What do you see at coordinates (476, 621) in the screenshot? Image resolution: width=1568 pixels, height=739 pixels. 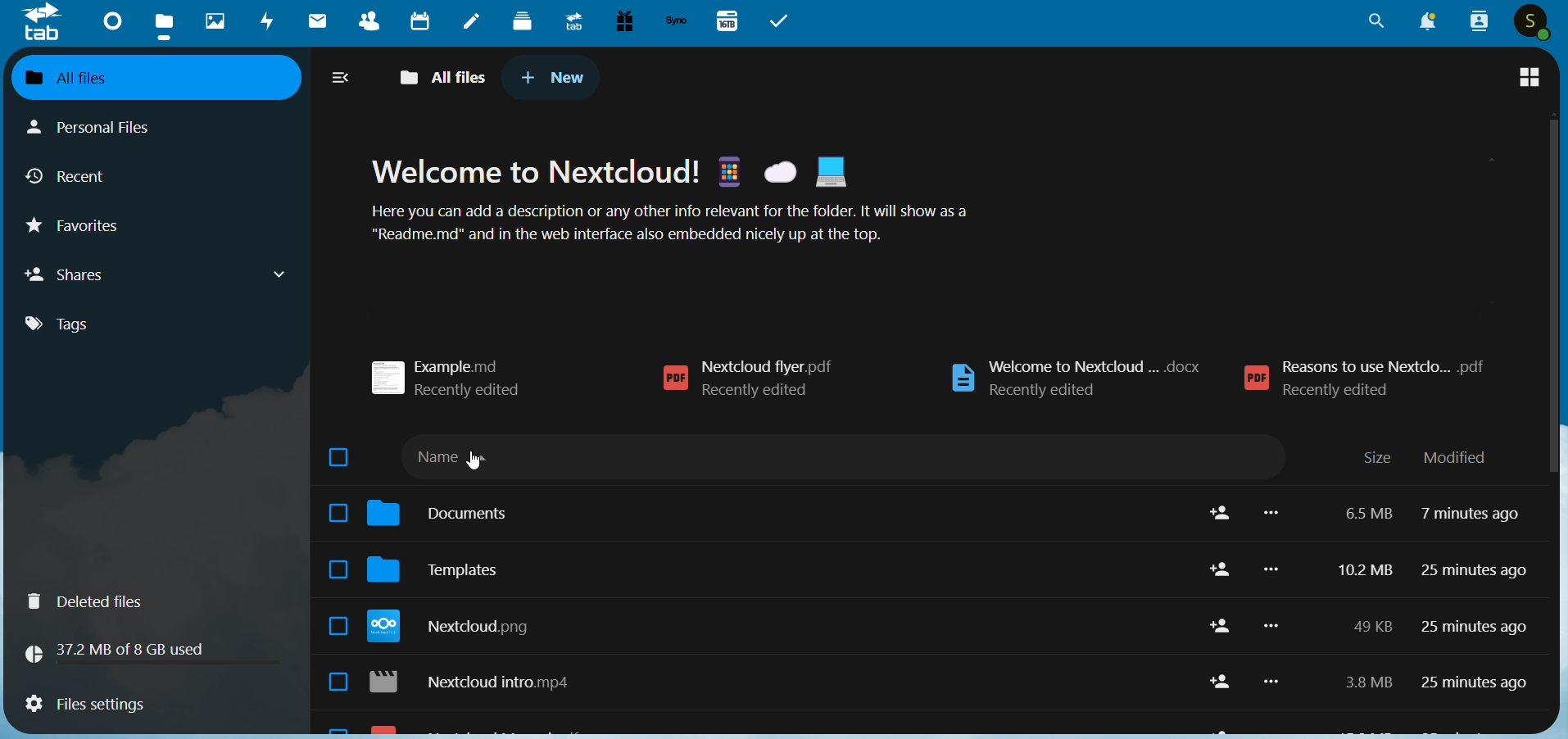 I see `templates credits.md` at bounding box center [476, 621].